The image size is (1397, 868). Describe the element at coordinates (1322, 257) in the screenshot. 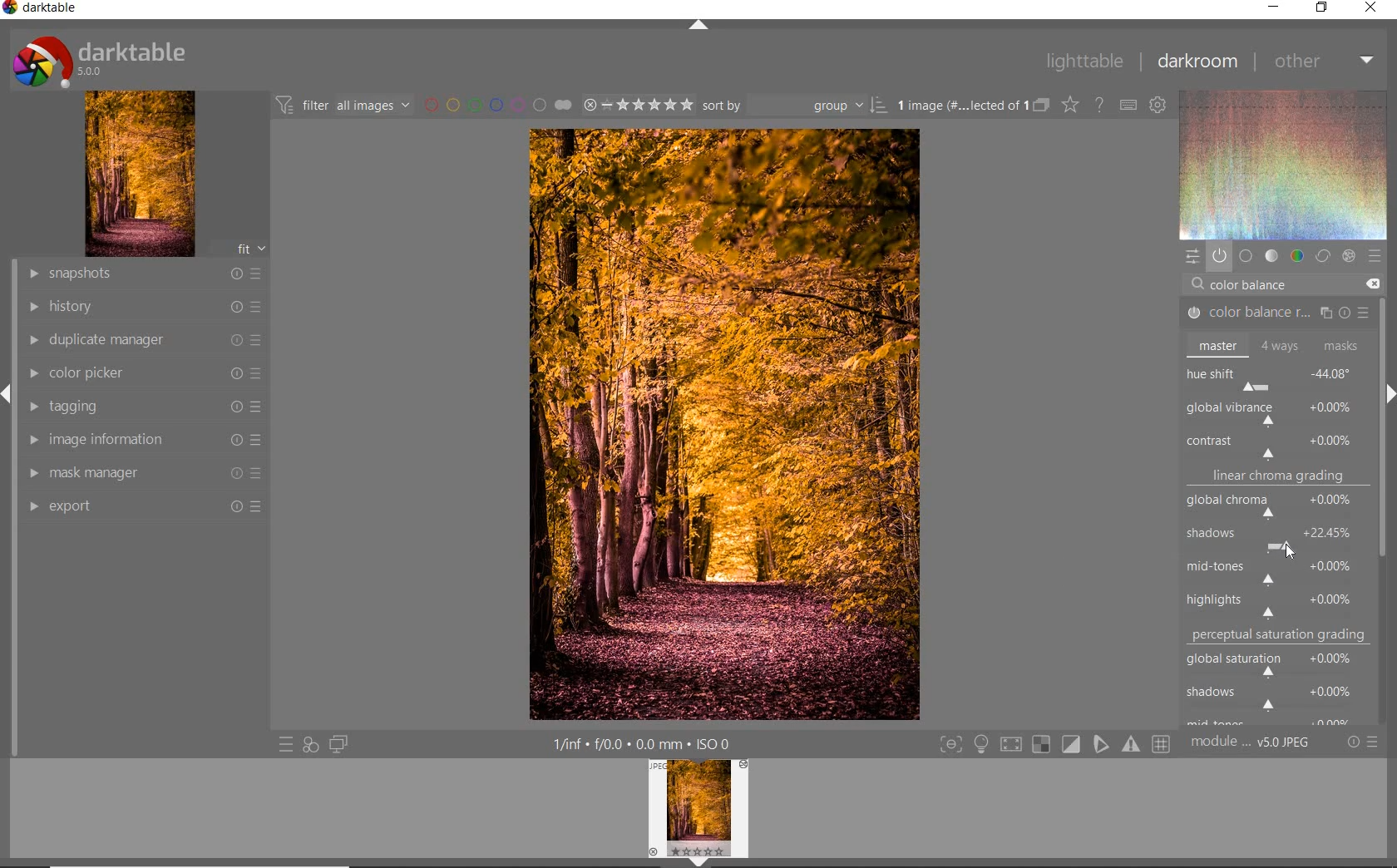

I see `correct` at that location.